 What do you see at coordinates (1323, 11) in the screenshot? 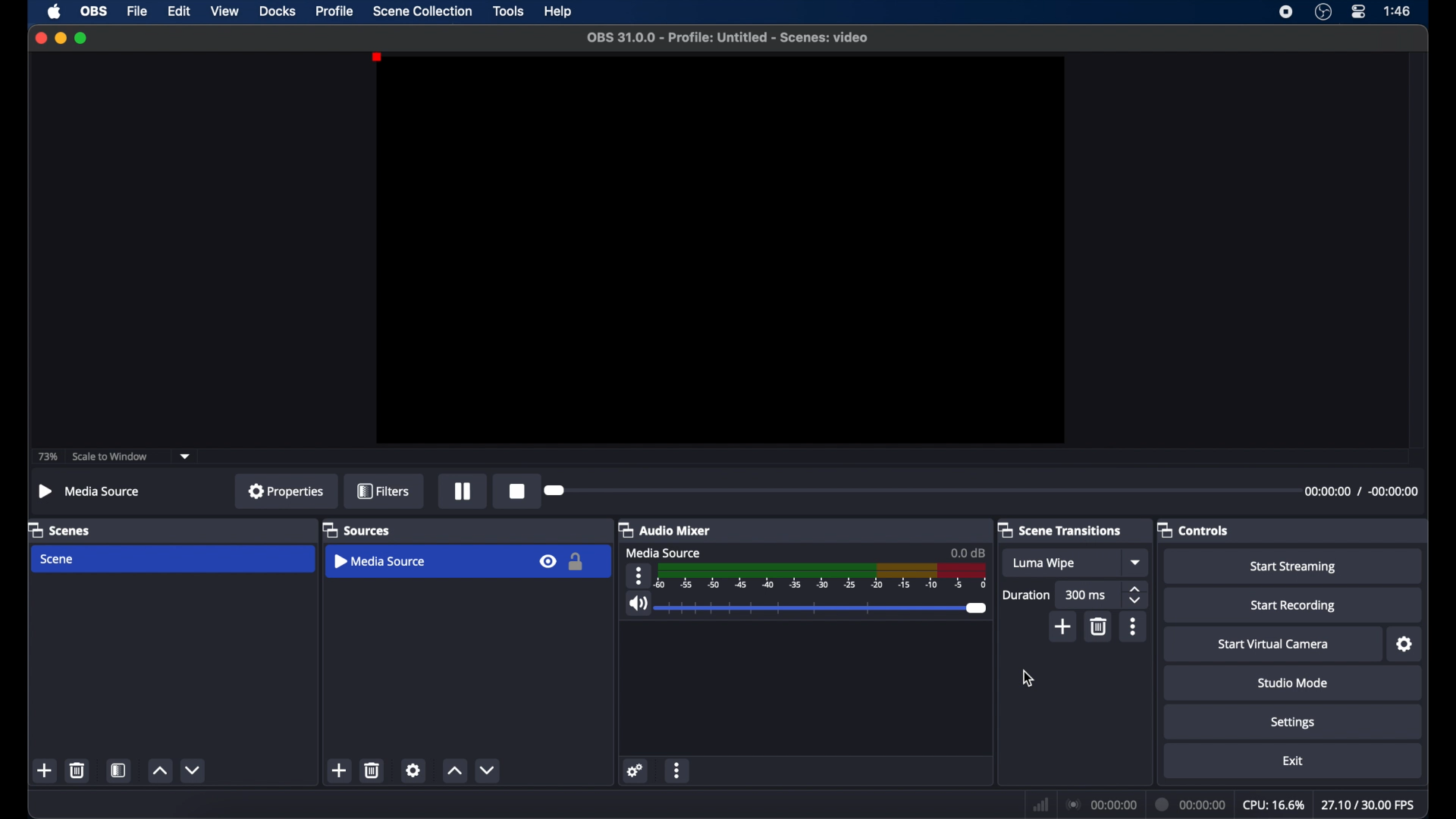
I see `obs studio` at bounding box center [1323, 11].